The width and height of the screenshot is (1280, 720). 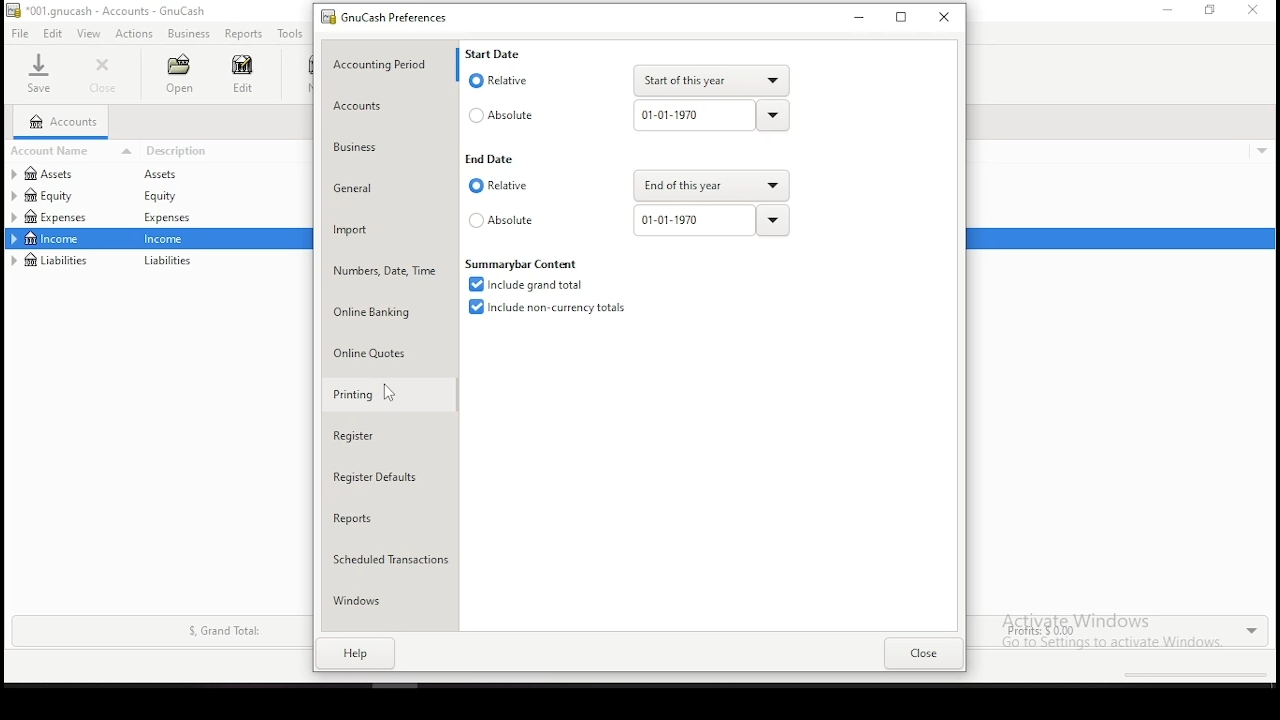 I want to click on expenses, so click(x=67, y=217).